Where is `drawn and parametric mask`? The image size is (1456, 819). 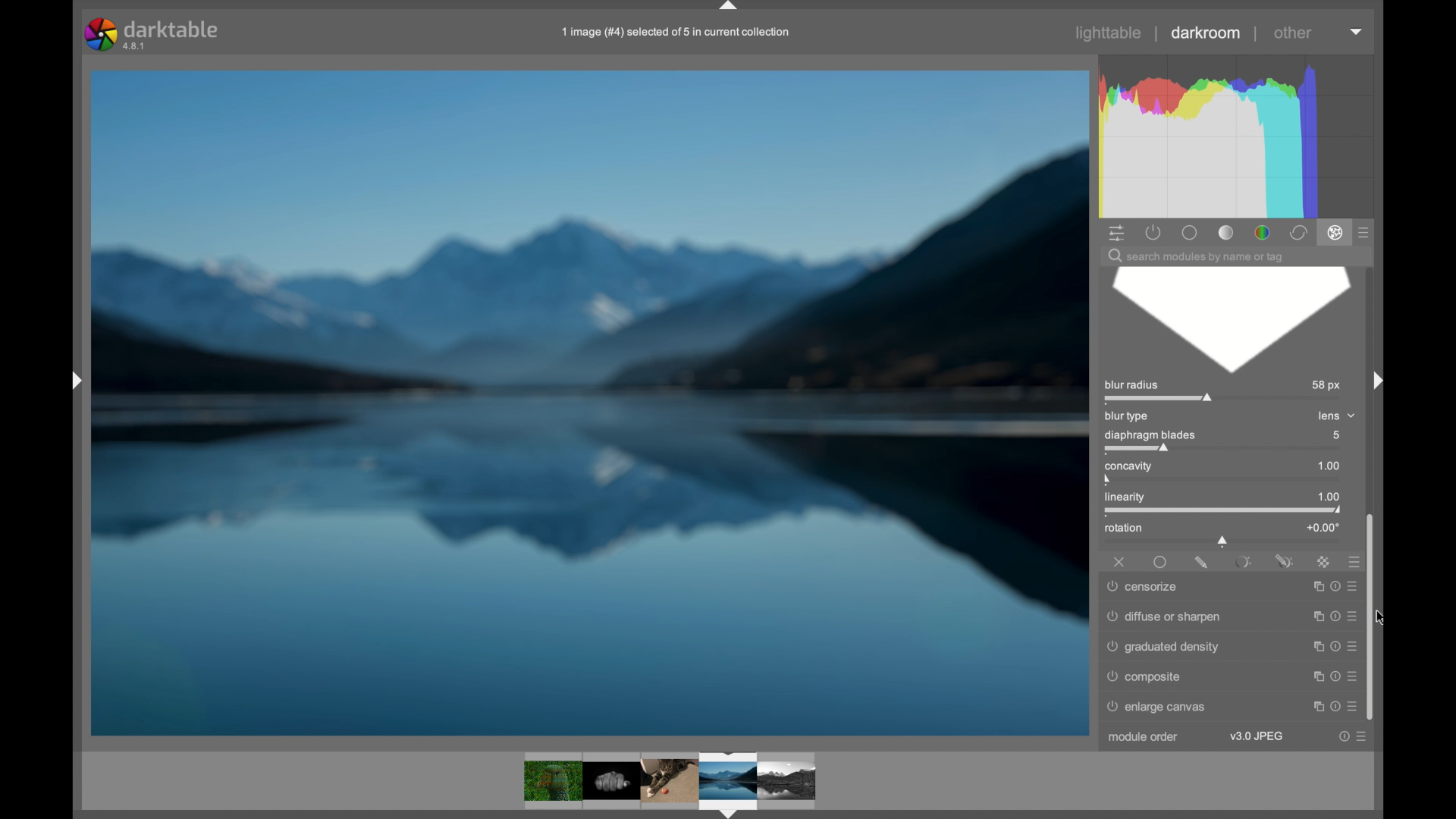
drawn and parametric mask is located at coordinates (1284, 560).